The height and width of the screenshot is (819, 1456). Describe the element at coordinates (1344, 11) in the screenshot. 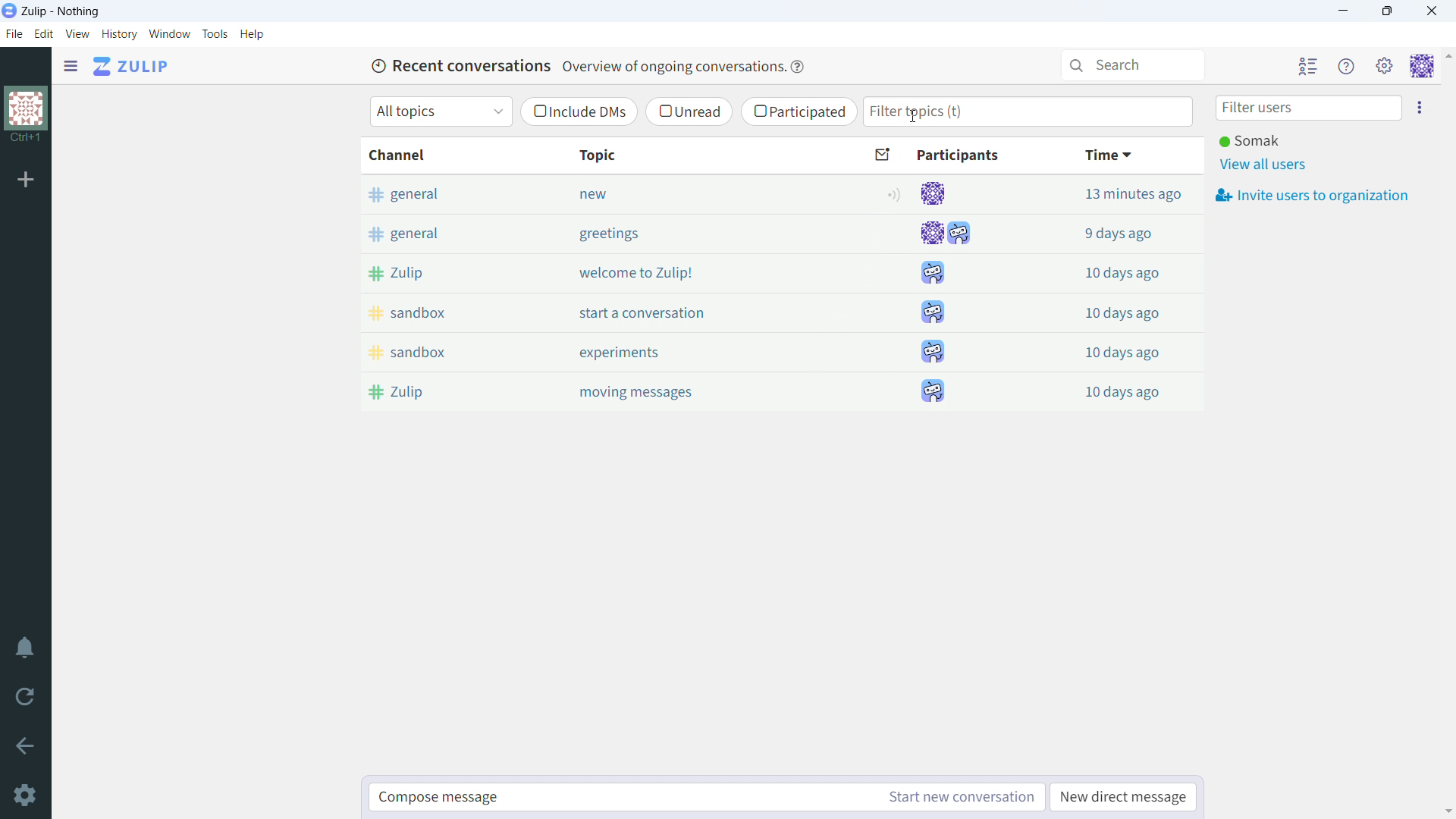

I see `minimize` at that location.